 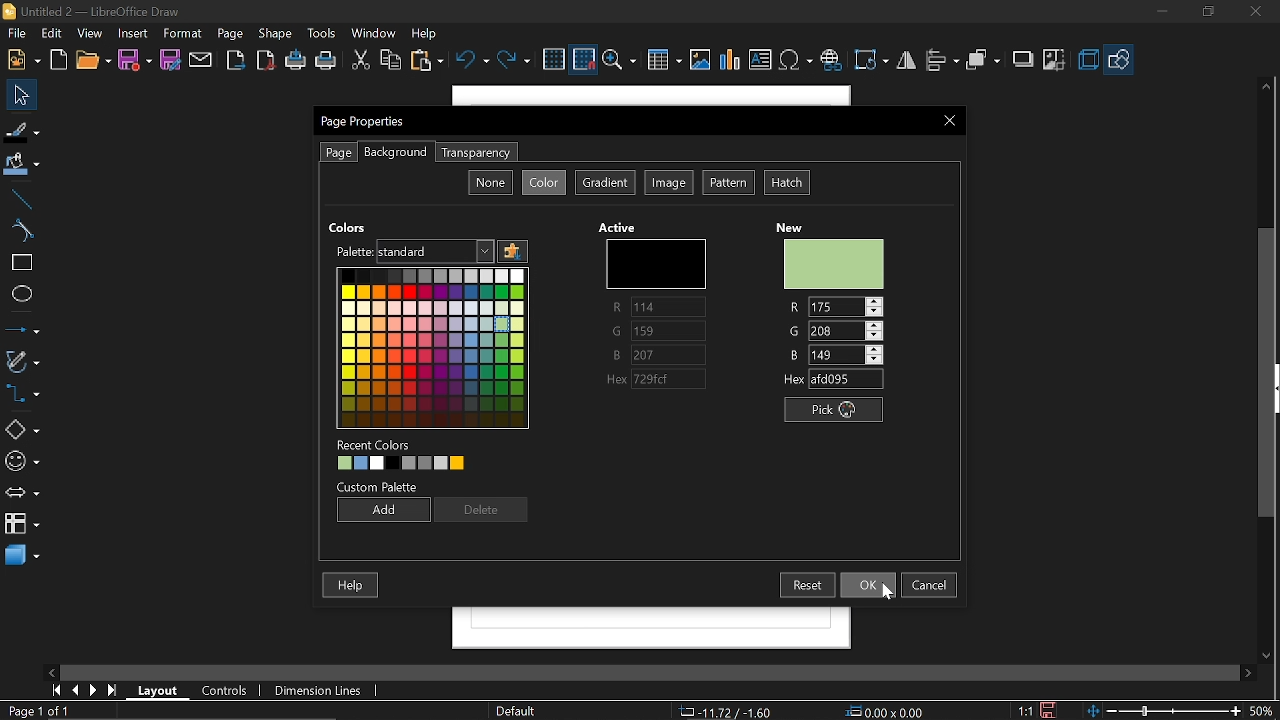 I want to click on flip, so click(x=906, y=61).